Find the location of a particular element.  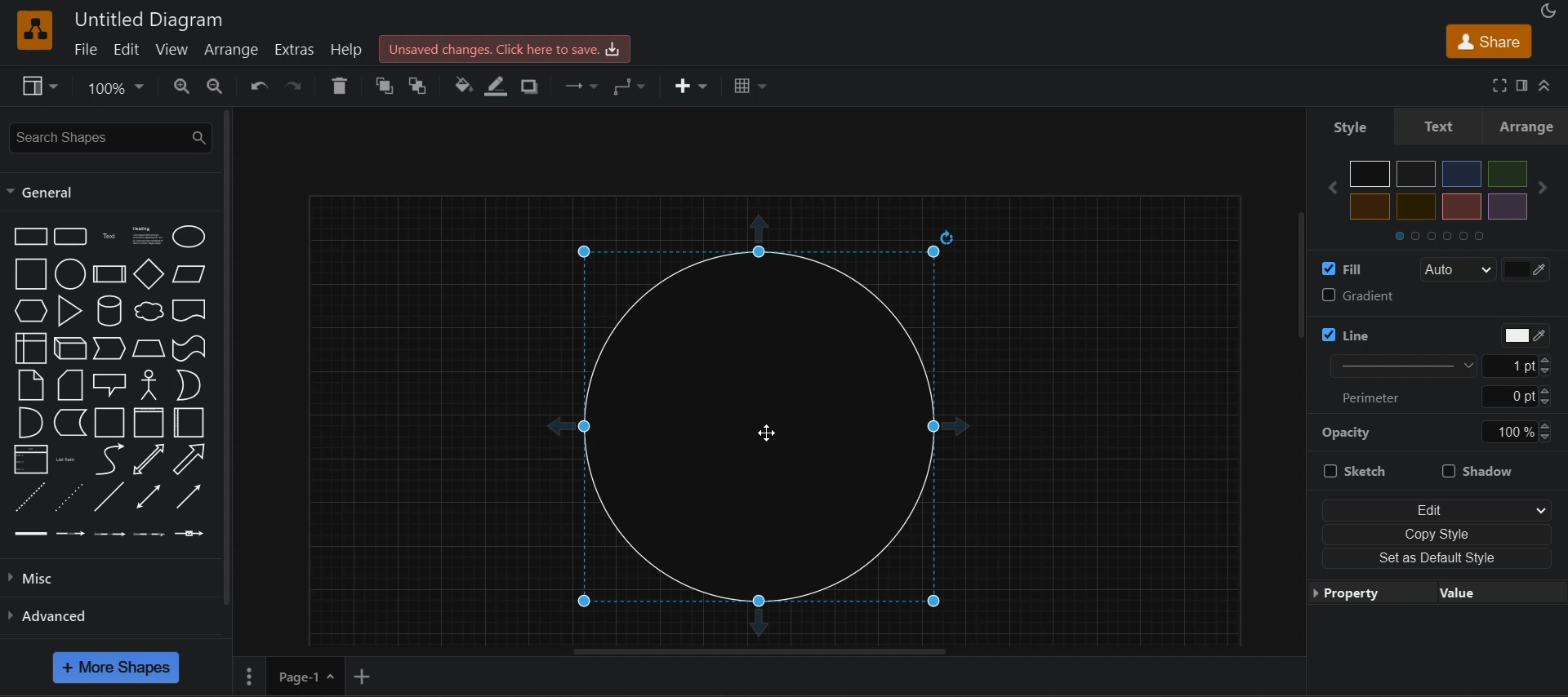

help is located at coordinates (348, 50).